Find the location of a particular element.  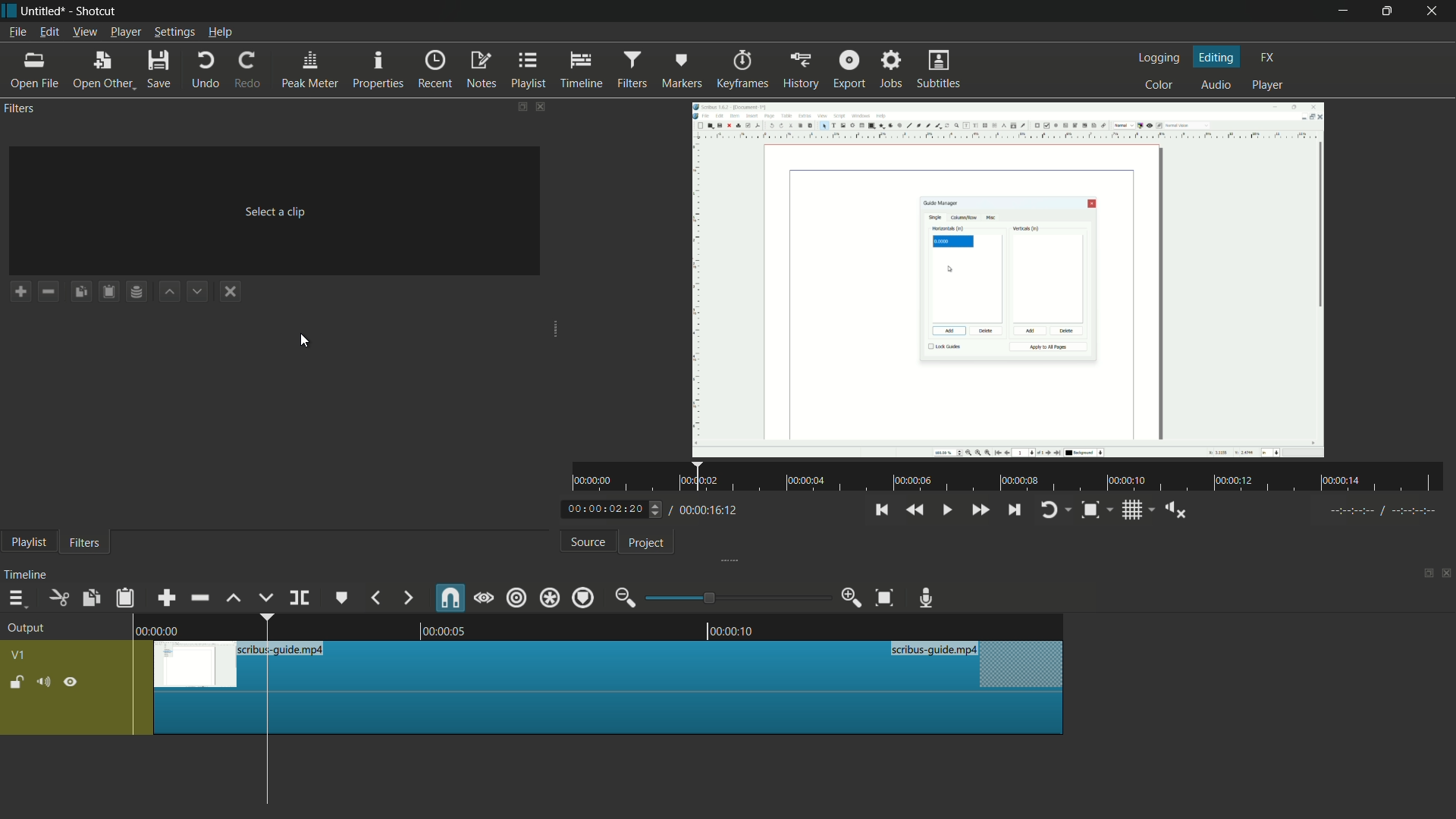

copy filters is located at coordinates (81, 292).